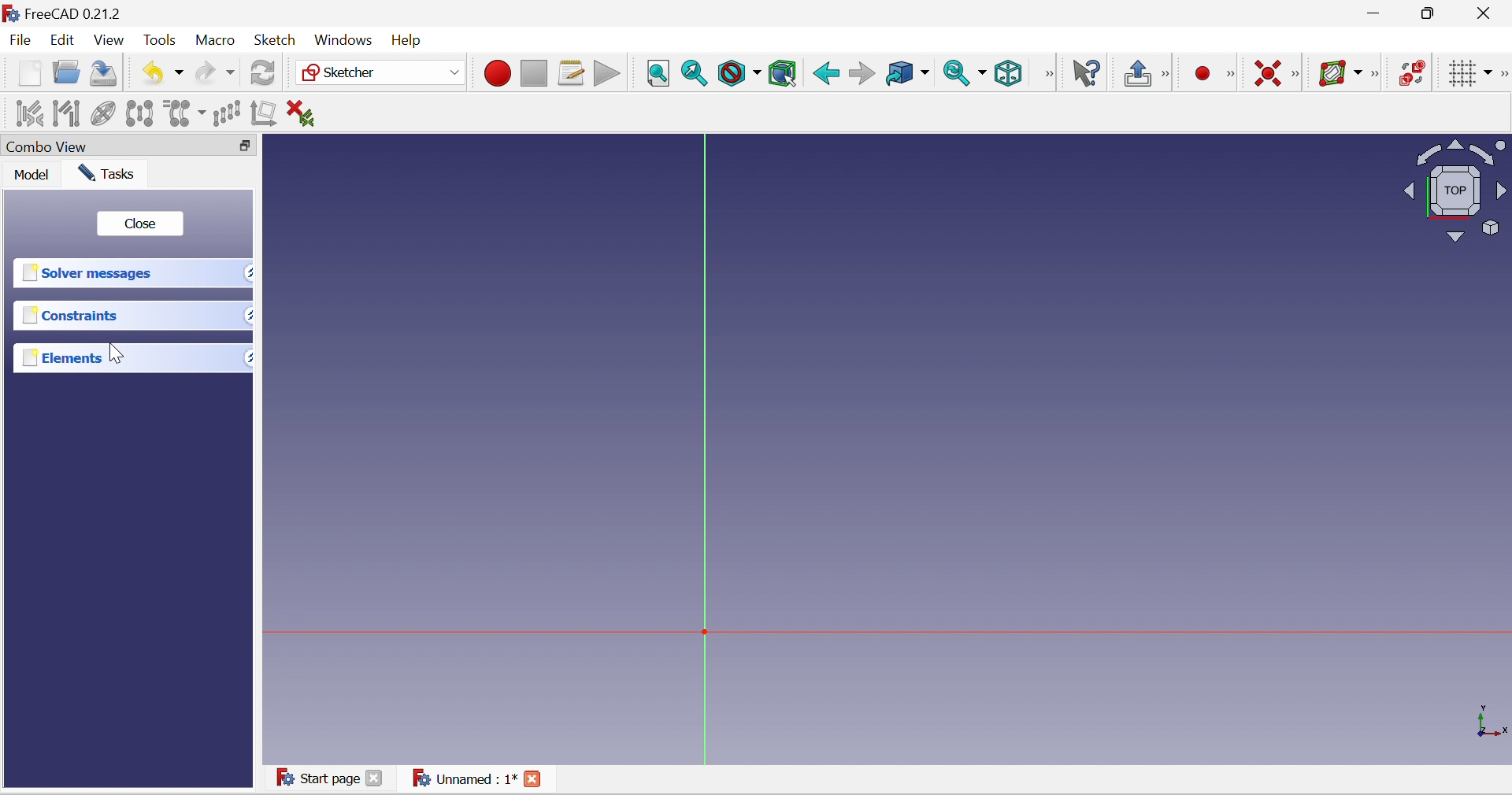  I want to click on Go to linked object, so click(905, 75).